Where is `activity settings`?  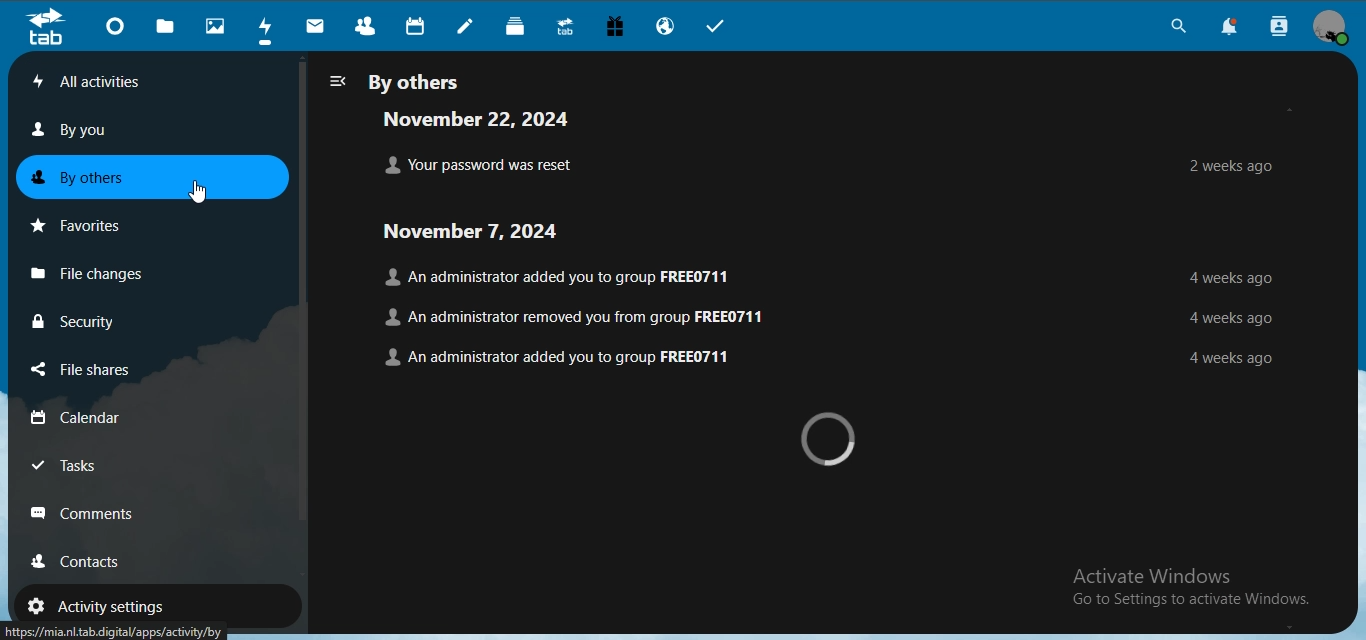
activity settings is located at coordinates (102, 606).